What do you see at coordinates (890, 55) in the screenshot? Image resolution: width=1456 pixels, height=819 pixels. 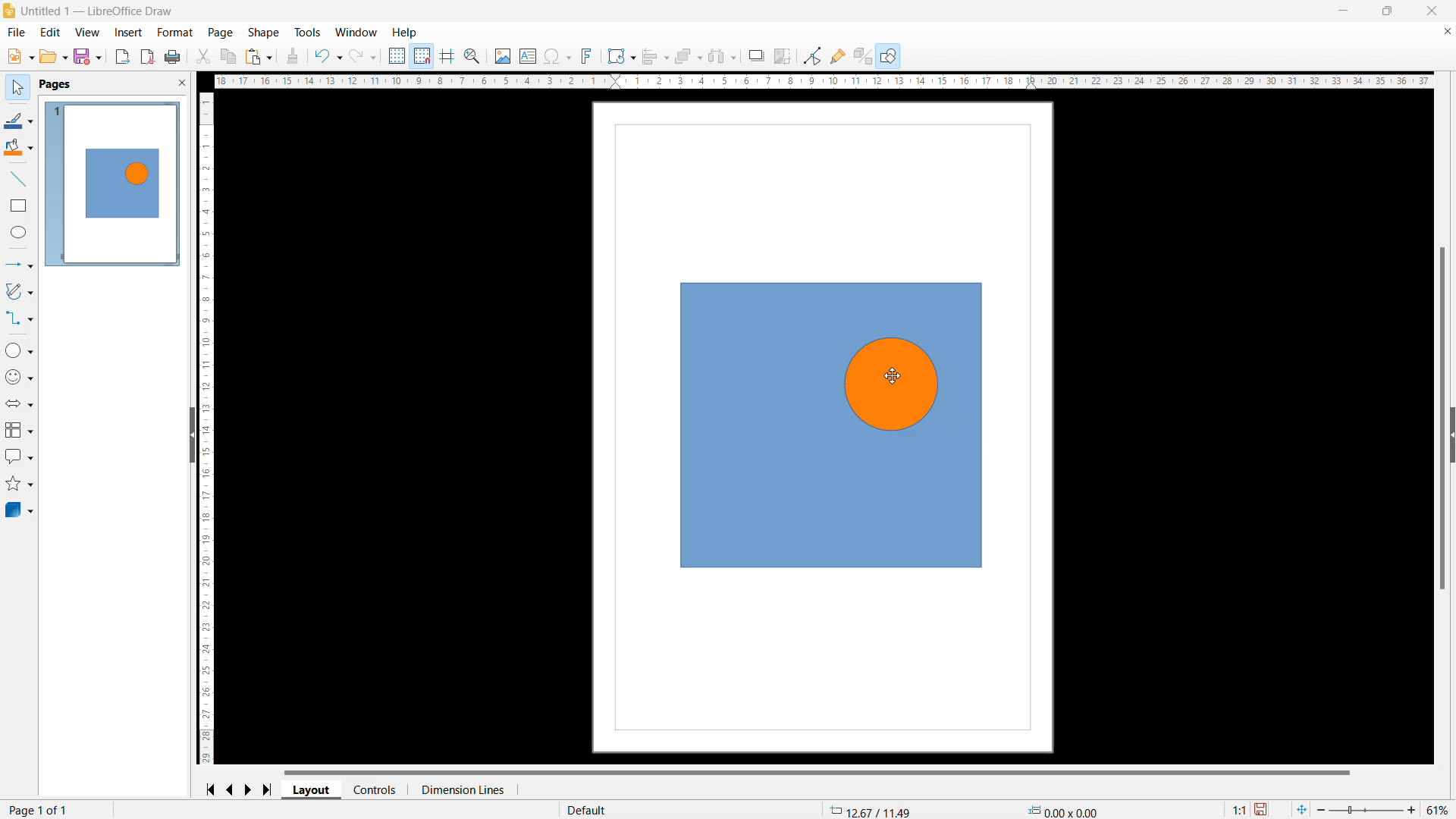 I see `show draw functions` at bounding box center [890, 55].